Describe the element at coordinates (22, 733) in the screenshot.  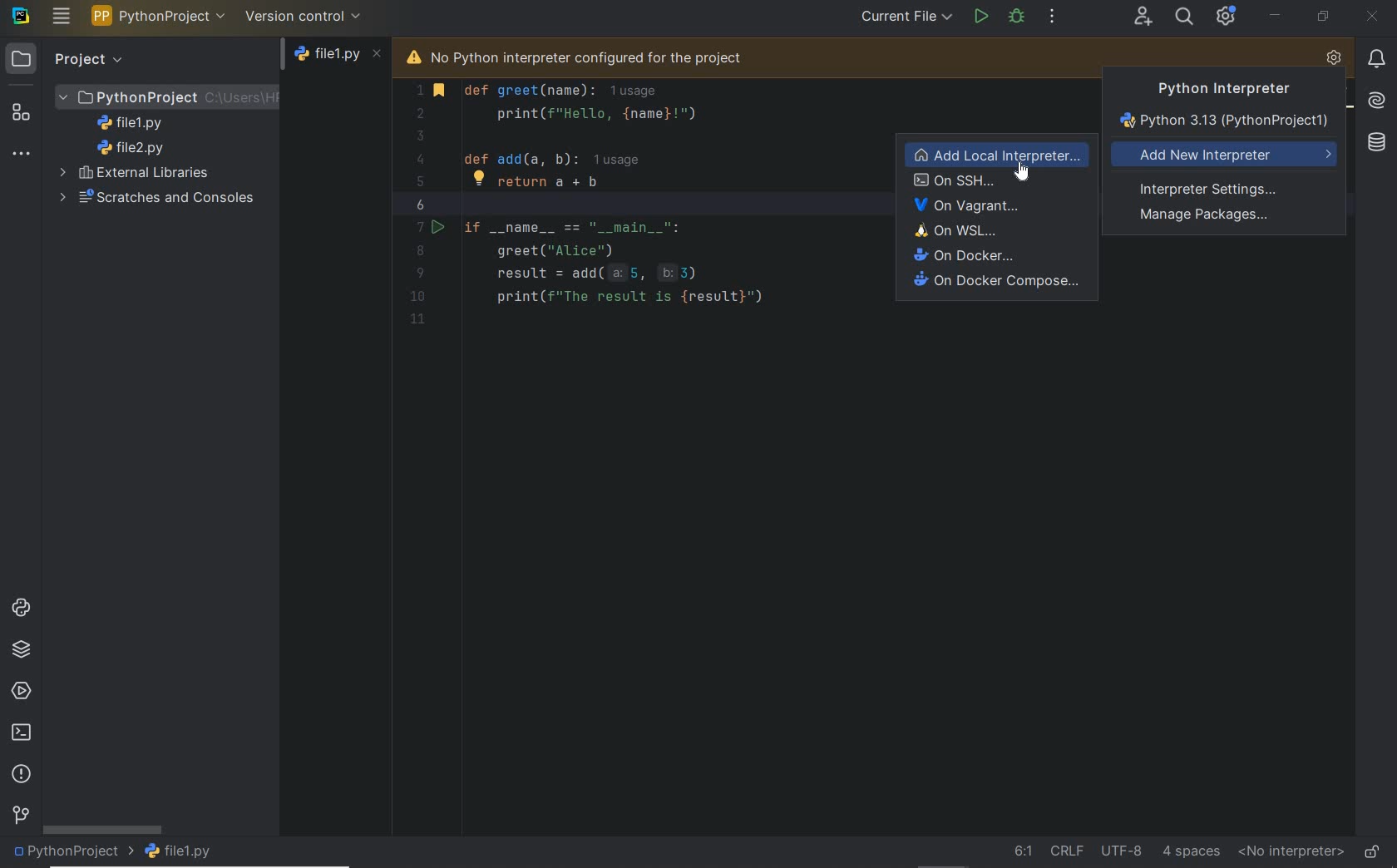
I see `terminal` at that location.